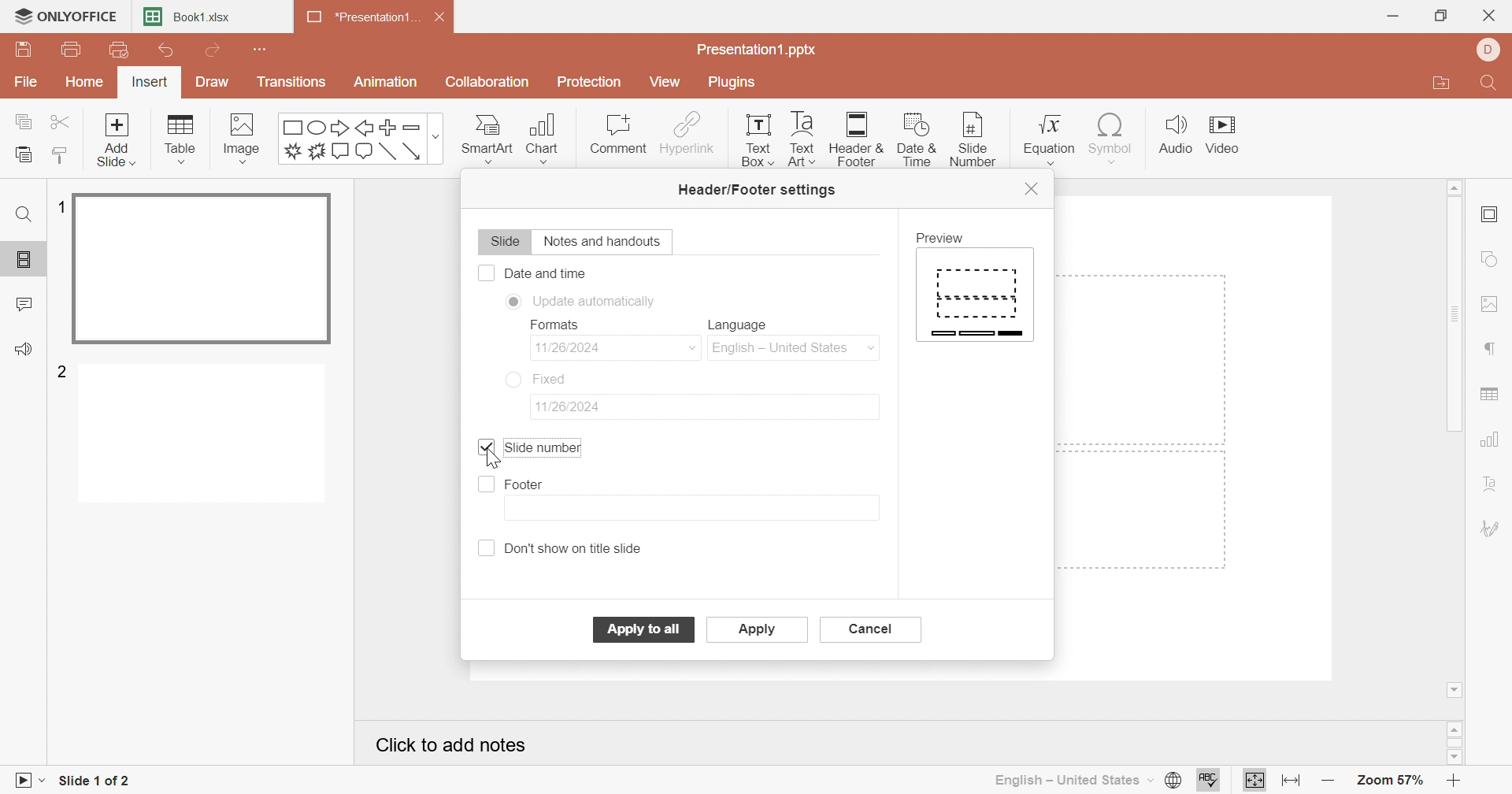  I want to click on Language, so click(743, 325).